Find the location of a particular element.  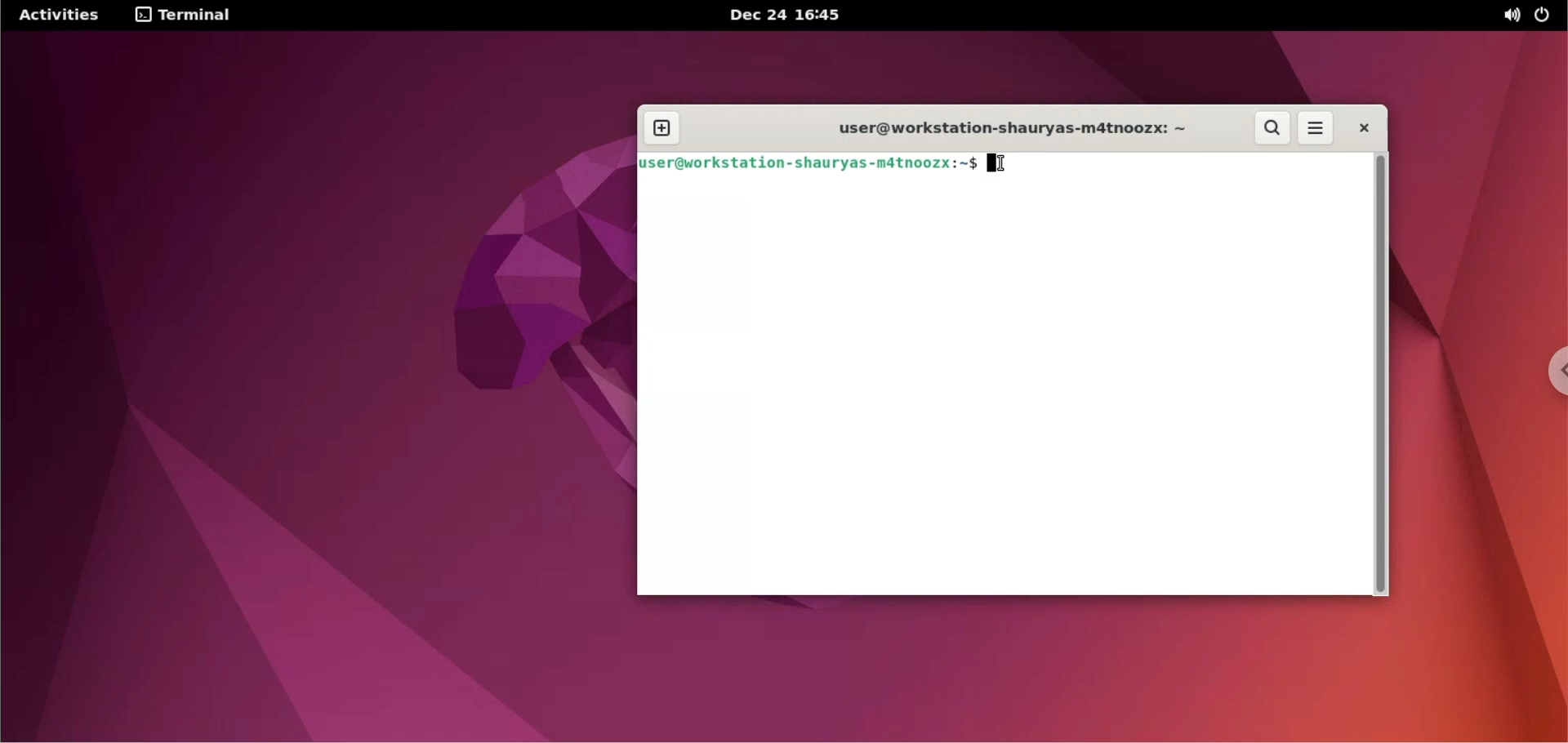

Activities  is located at coordinates (61, 17).